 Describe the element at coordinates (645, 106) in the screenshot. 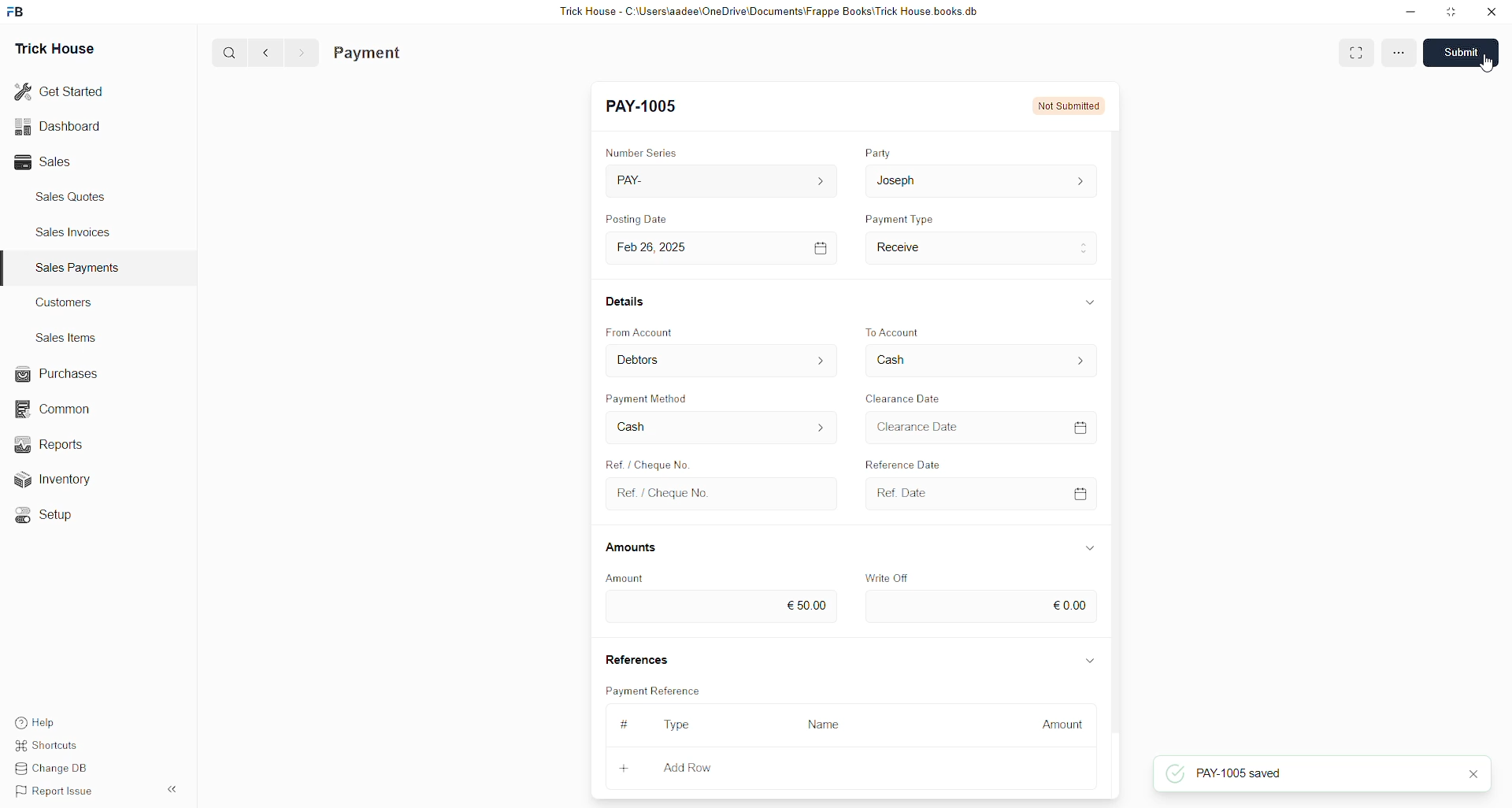

I see `New Entry` at that location.